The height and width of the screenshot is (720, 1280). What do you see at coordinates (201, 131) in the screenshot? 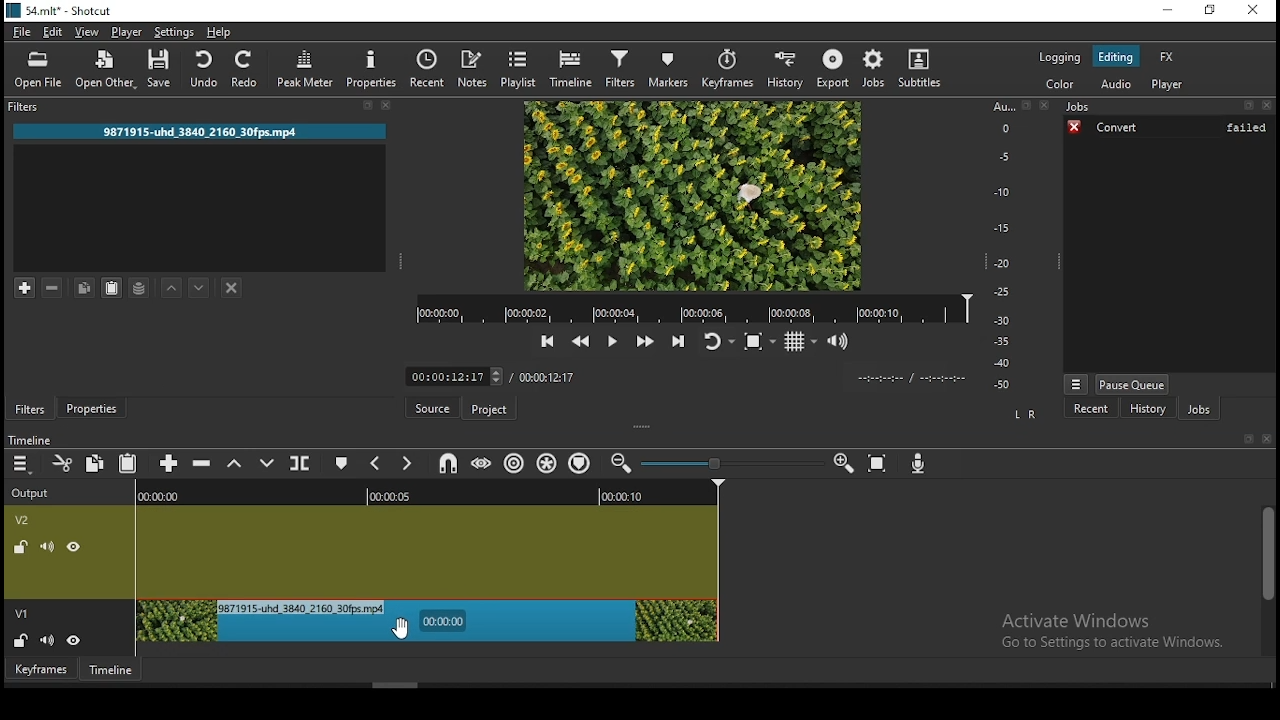
I see `file name` at bounding box center [201, 131].